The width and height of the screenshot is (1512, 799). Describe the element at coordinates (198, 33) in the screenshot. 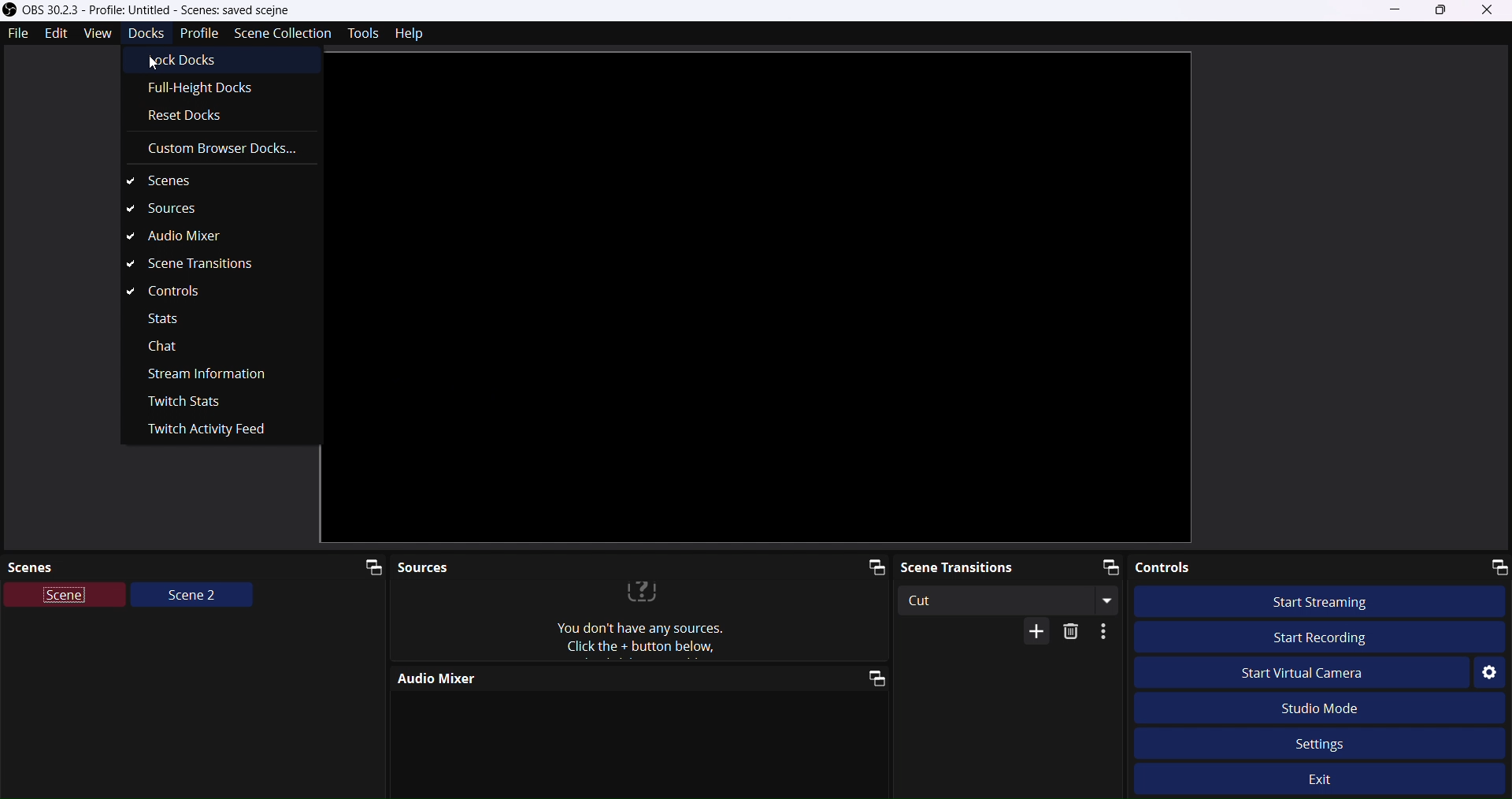

I see `Profile` at that location.